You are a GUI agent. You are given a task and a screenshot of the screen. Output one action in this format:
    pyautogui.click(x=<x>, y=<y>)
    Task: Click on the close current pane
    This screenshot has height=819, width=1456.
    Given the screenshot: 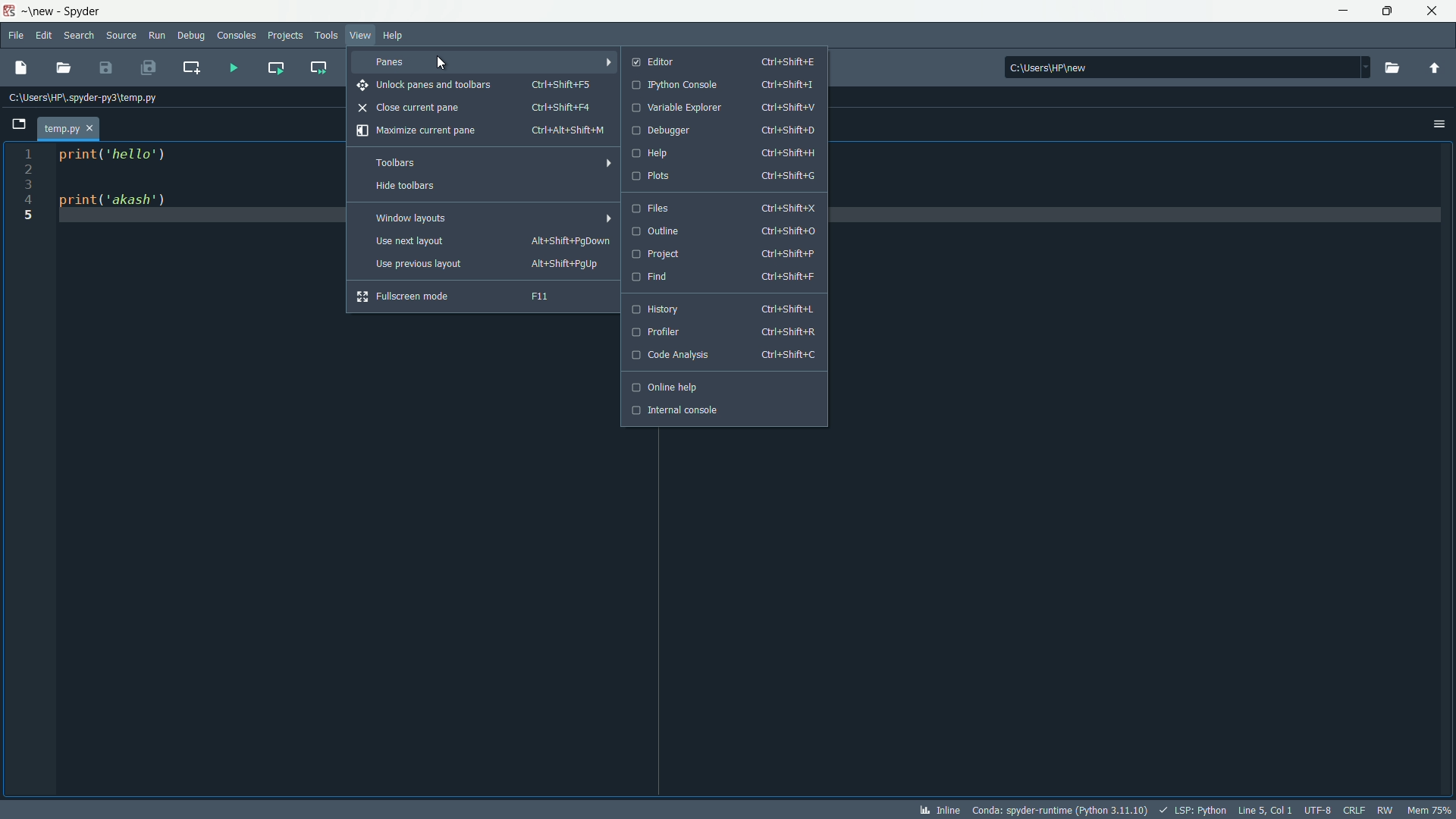 What is the action you would take?
    pyautogui.click(x=476, y=107)
    